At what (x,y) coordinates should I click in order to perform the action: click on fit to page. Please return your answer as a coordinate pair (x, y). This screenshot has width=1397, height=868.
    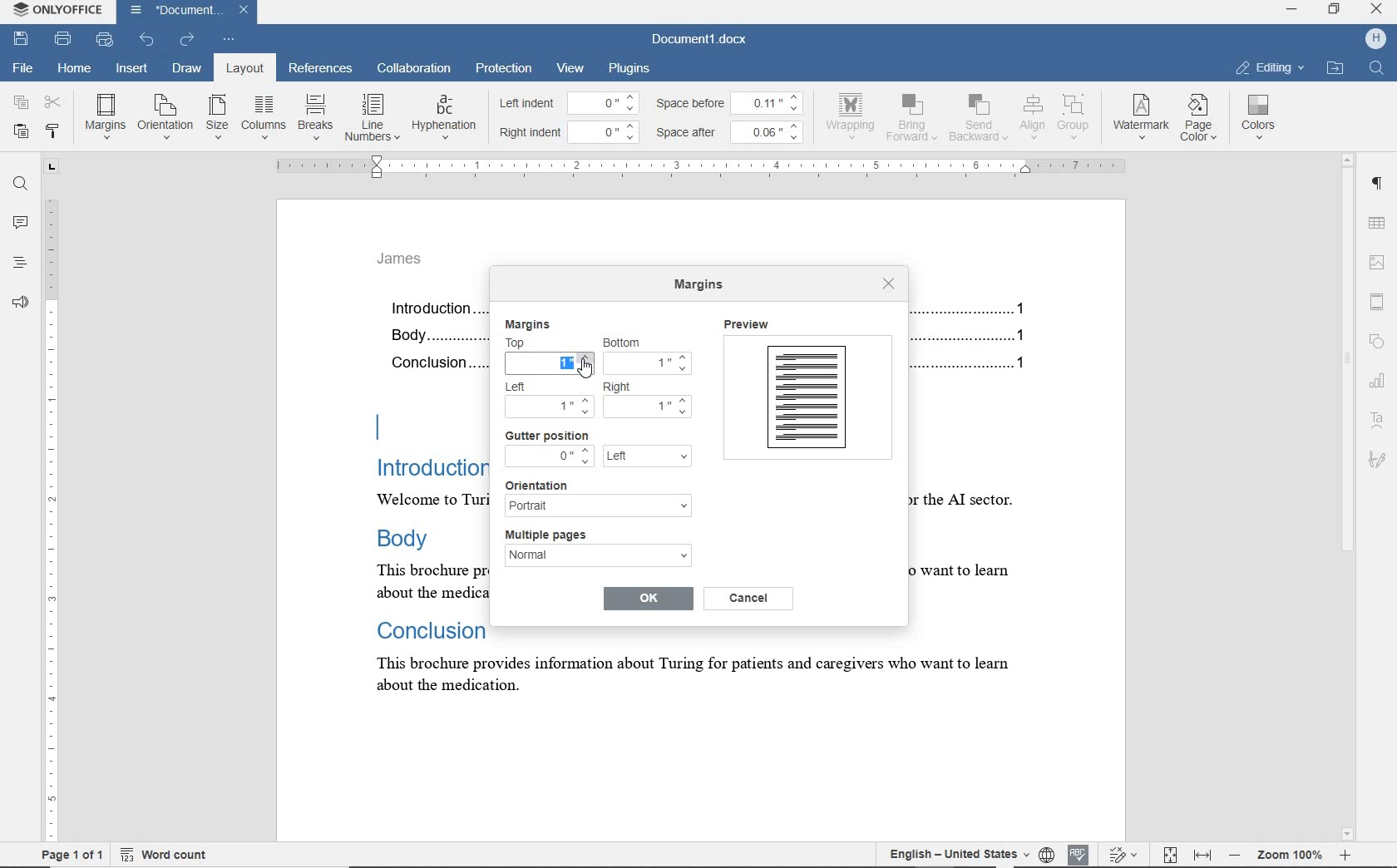
    Looking at the image, I should click on (1169, 853).